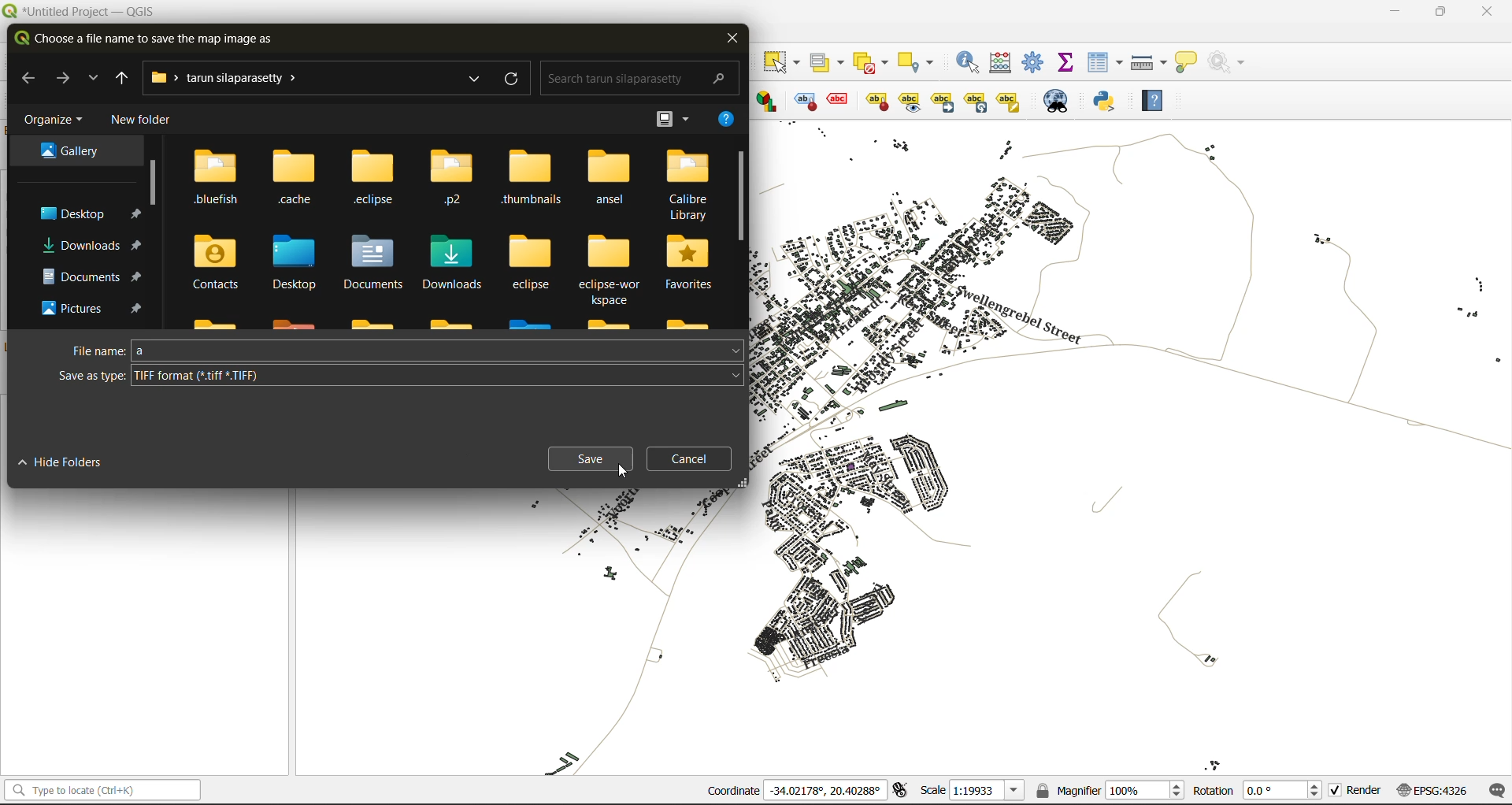 The height and width of the screenshot is (805, 1512). Describe the element at coordinates (55, 119) in the screenshot. I see `organize` at that location.